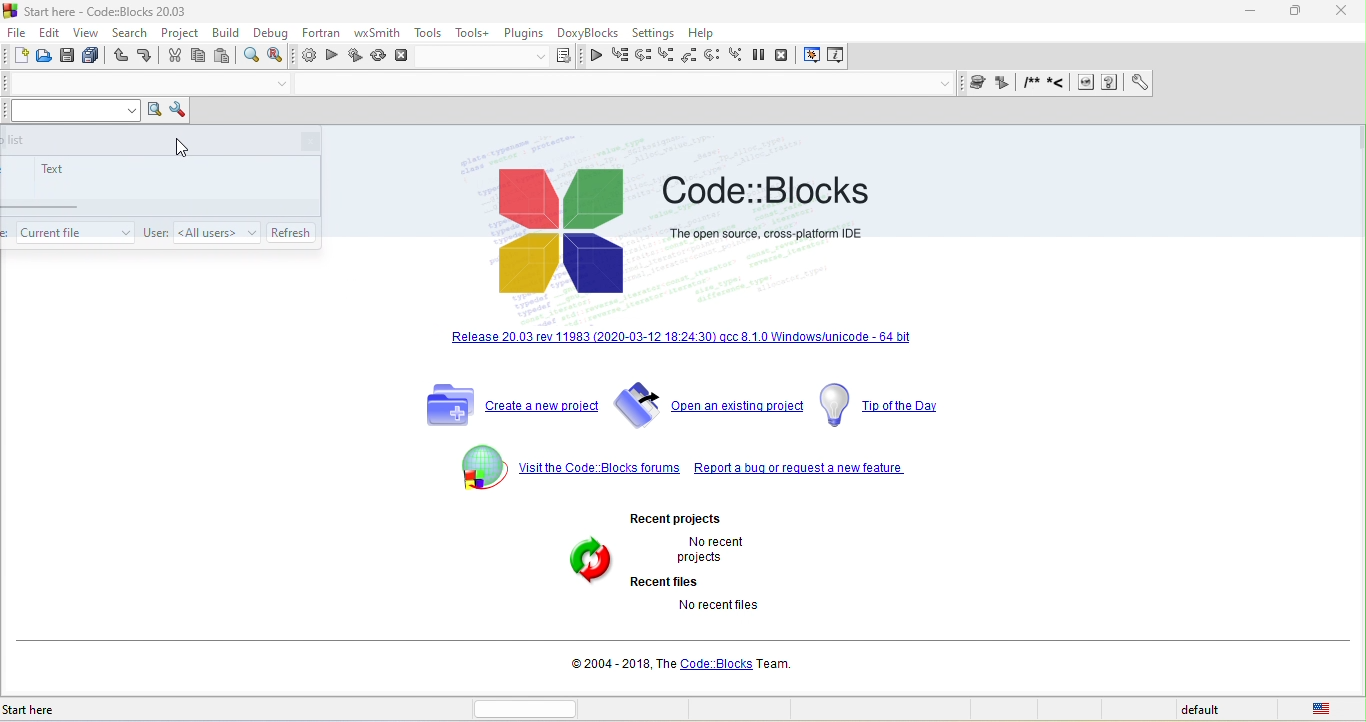  What do you see at coordinates (1032, 83) in the screenshot?
I see `block comment` at bounding box center [1032, 83].